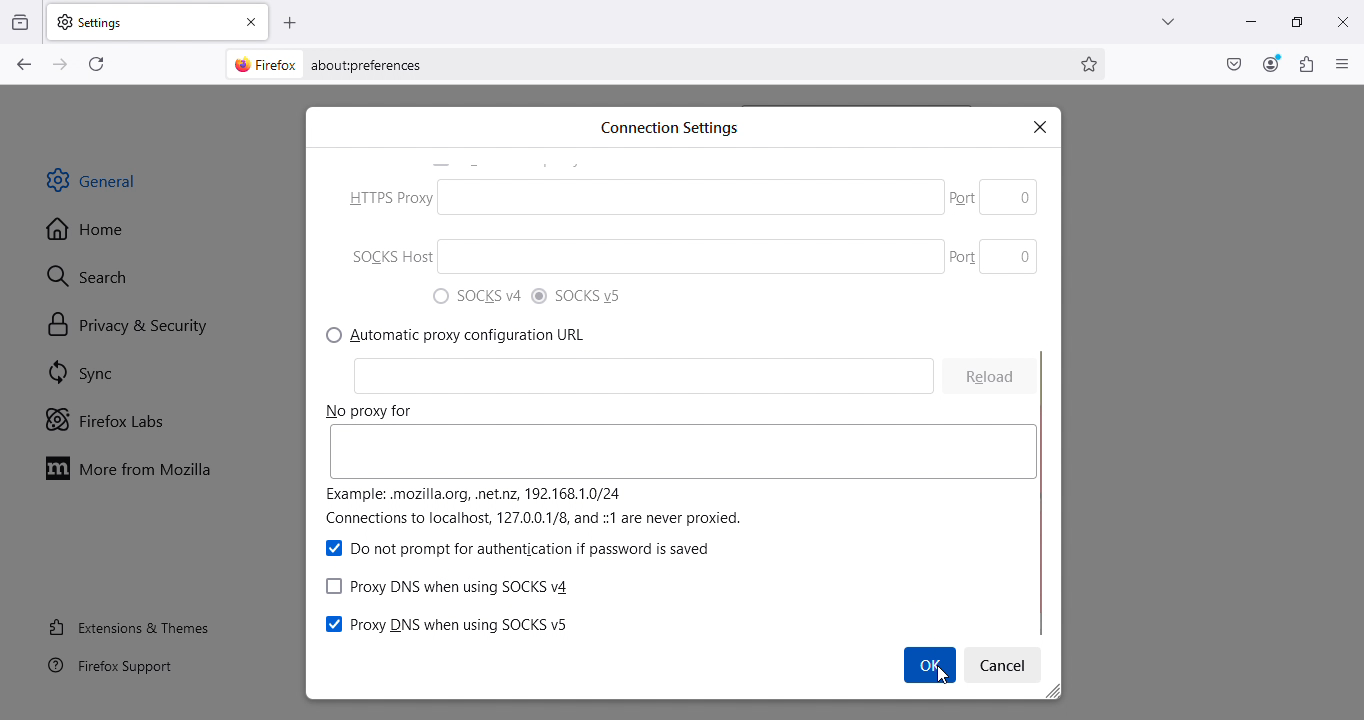 This screenshot has width=1364, height=720. I want to click on Open a new tab, so click(291, 22).